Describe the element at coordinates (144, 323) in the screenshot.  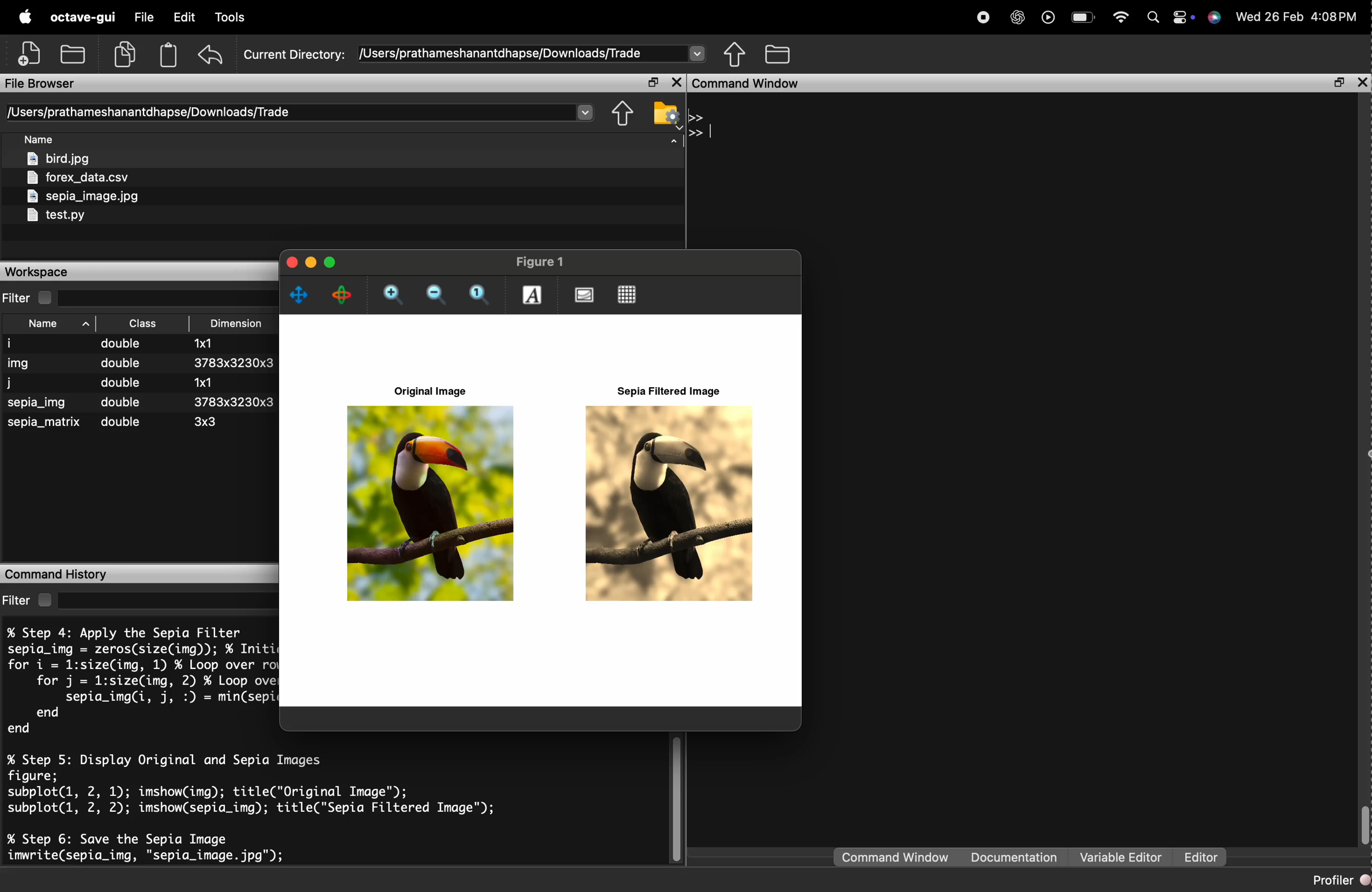
I see `Class` at that location.